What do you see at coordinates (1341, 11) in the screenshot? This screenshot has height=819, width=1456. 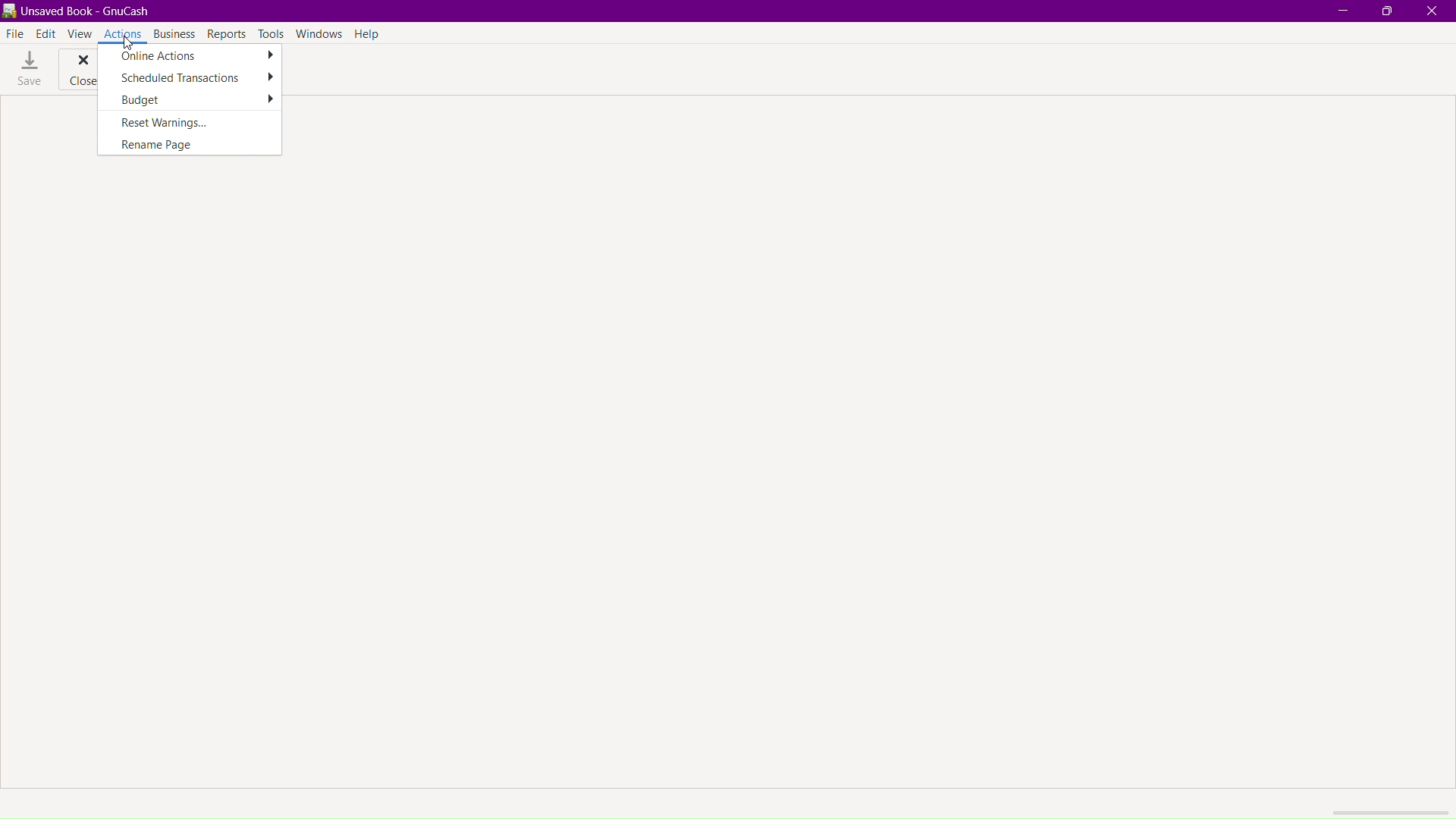 I see `Minimize` at bounding box center [1341, 11].